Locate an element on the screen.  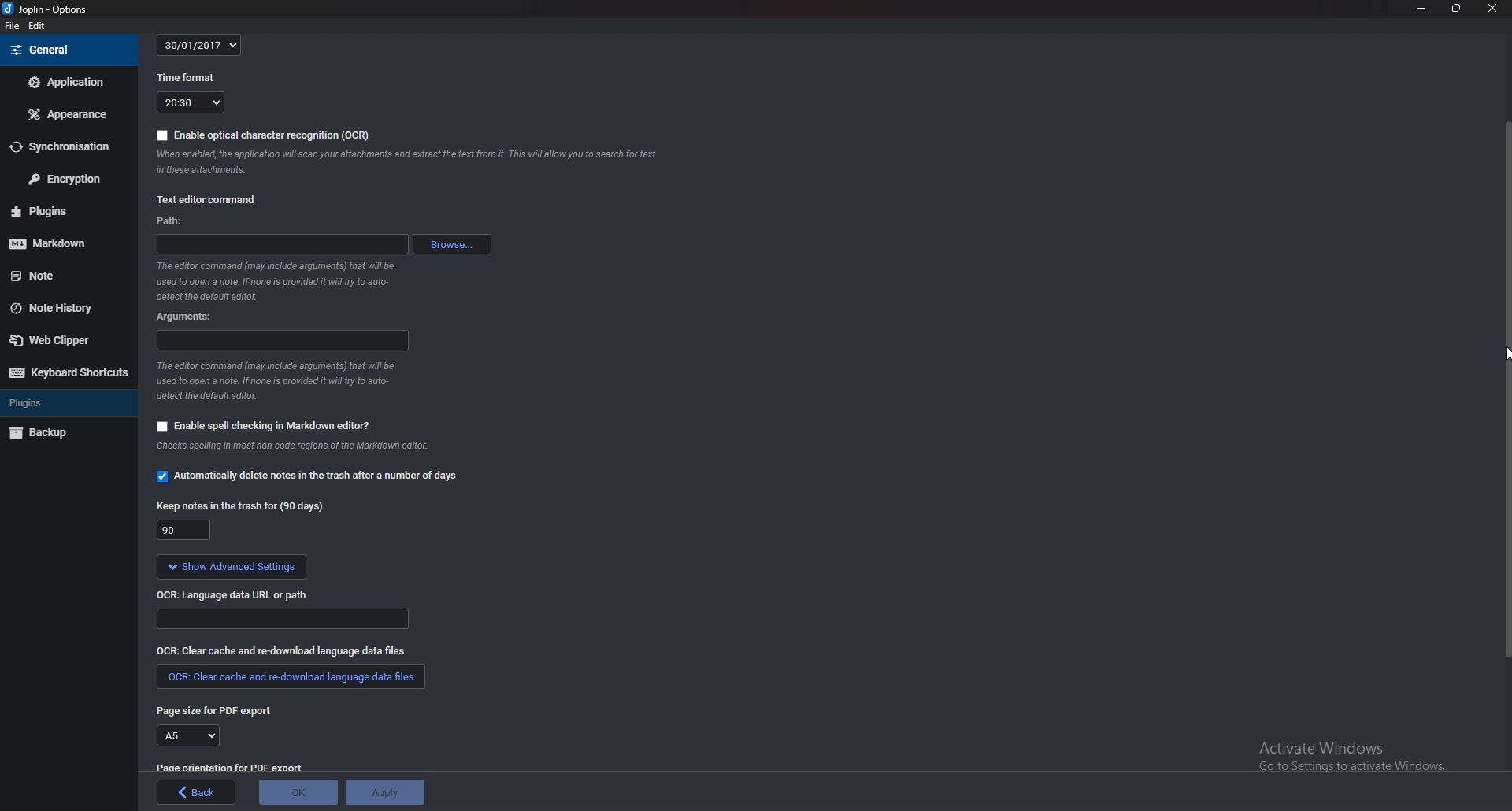
Automatically delete notes is located at coordinates (313, 478).